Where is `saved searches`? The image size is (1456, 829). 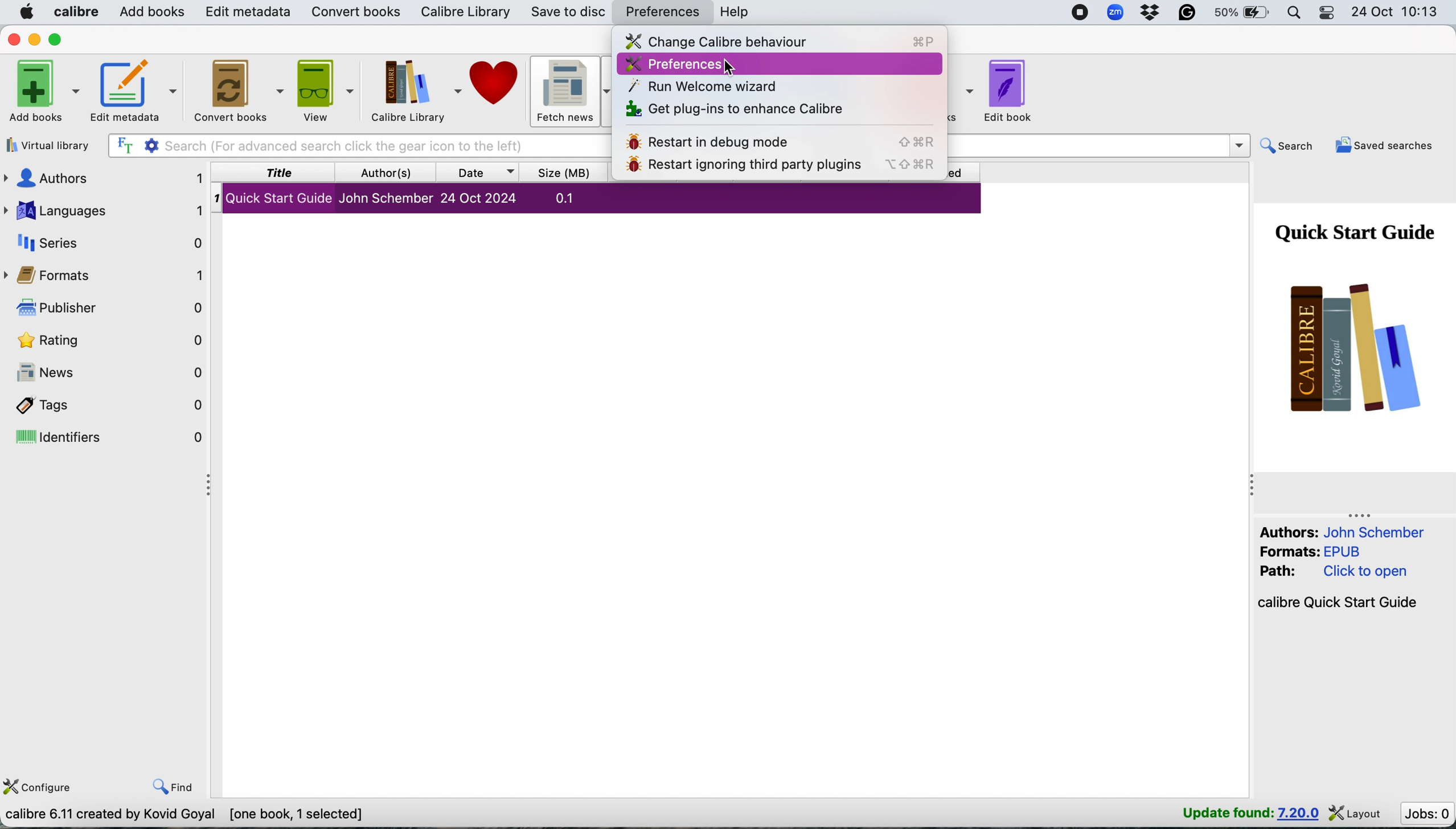
saved searches is located at coordinates (1388, 144).